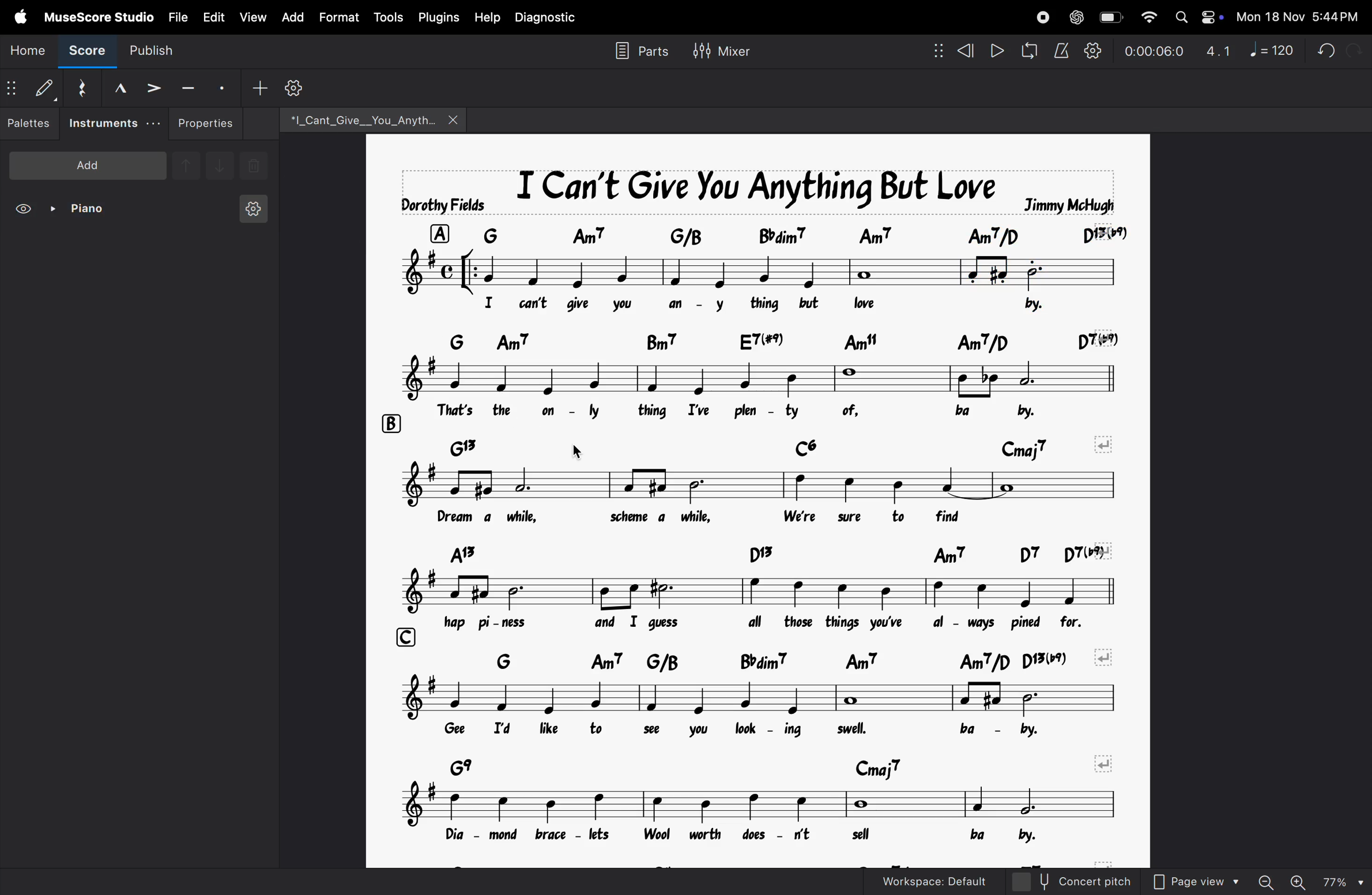 This screenshot has height=895, width=1372. What do you see at coordinates (761, 840) in the screenshot?
I see `lyrics` at bounding box center [761, 840].